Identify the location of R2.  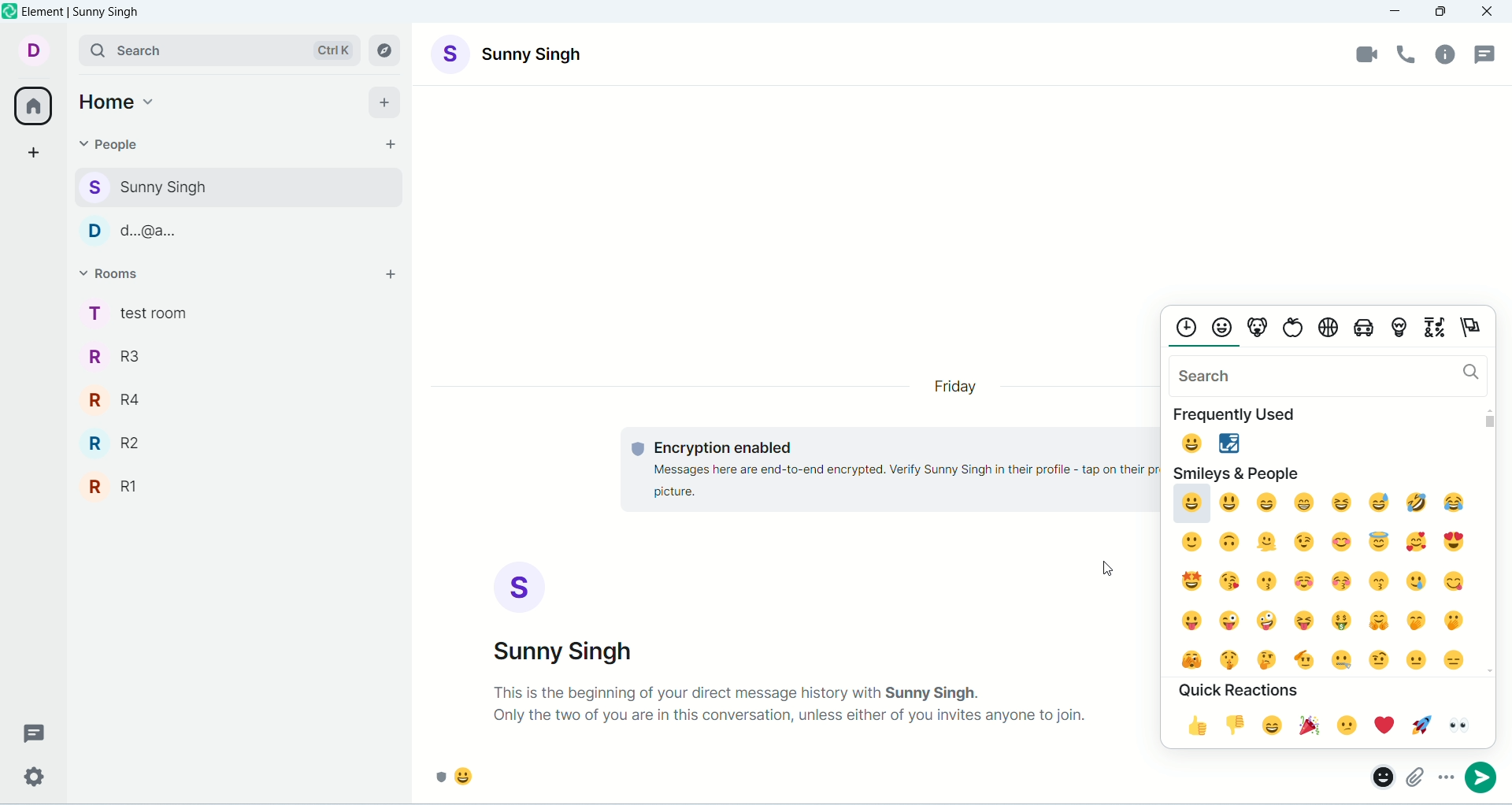
(239, 438).